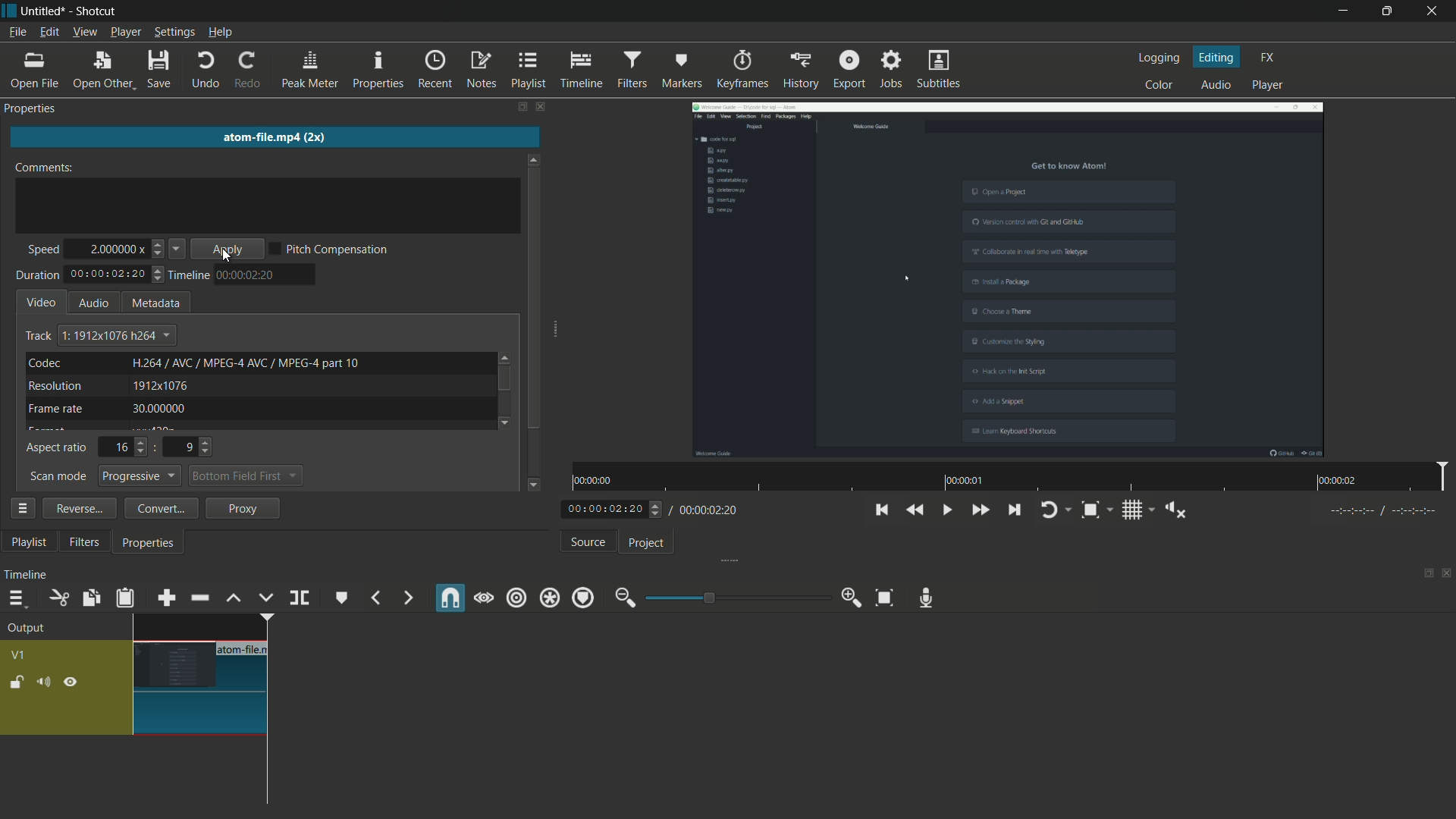 The height and width of the screenshot is (819, 1456). What do you see at coordinates (87, 543) in the screenshot?
I see `filters` at bounding box center [87, 543].